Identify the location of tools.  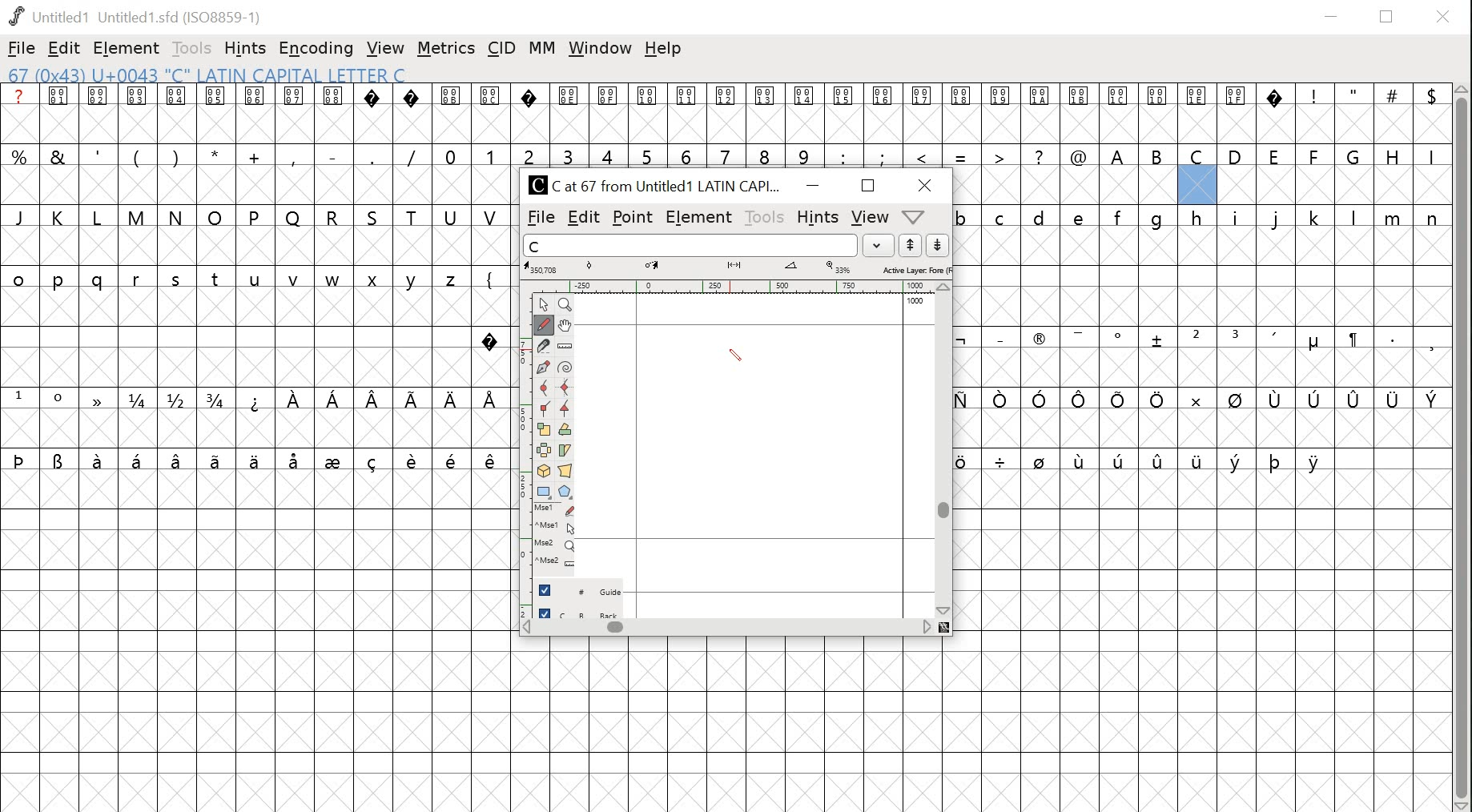
(191, 50).